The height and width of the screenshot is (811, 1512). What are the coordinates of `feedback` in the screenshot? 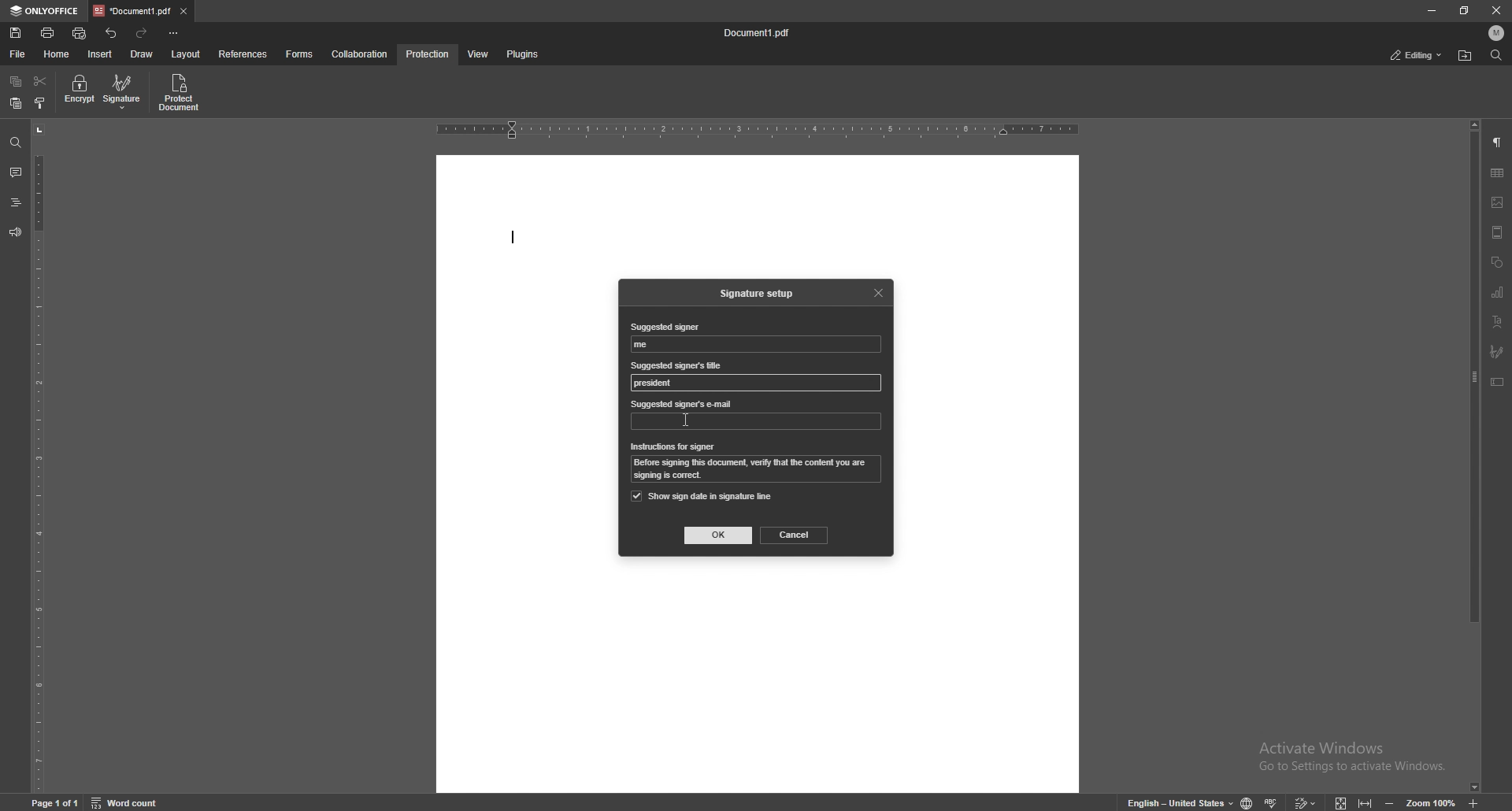 It's located at (14, 232).